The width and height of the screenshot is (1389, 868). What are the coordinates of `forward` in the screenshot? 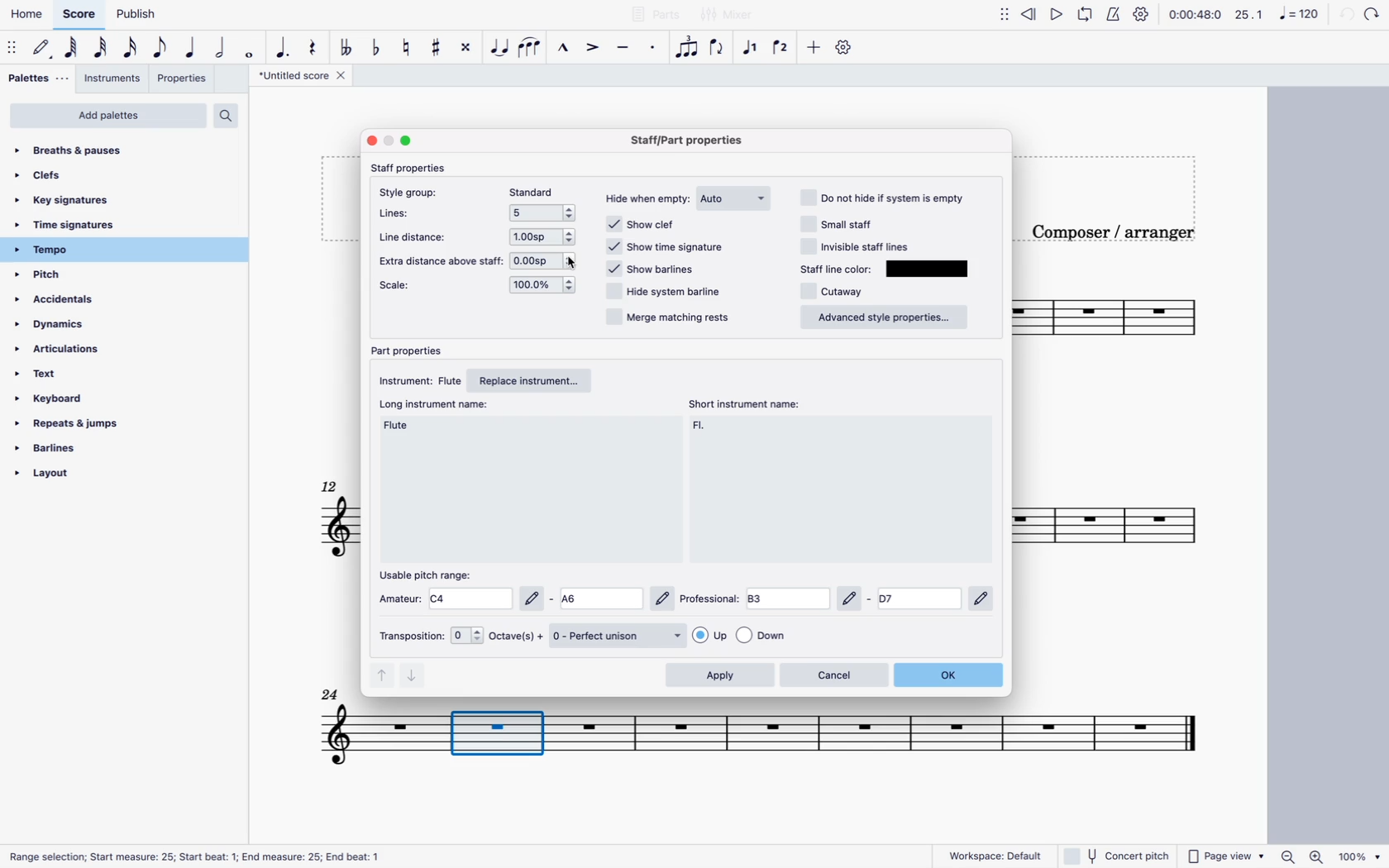 It's located at (1372, 13).